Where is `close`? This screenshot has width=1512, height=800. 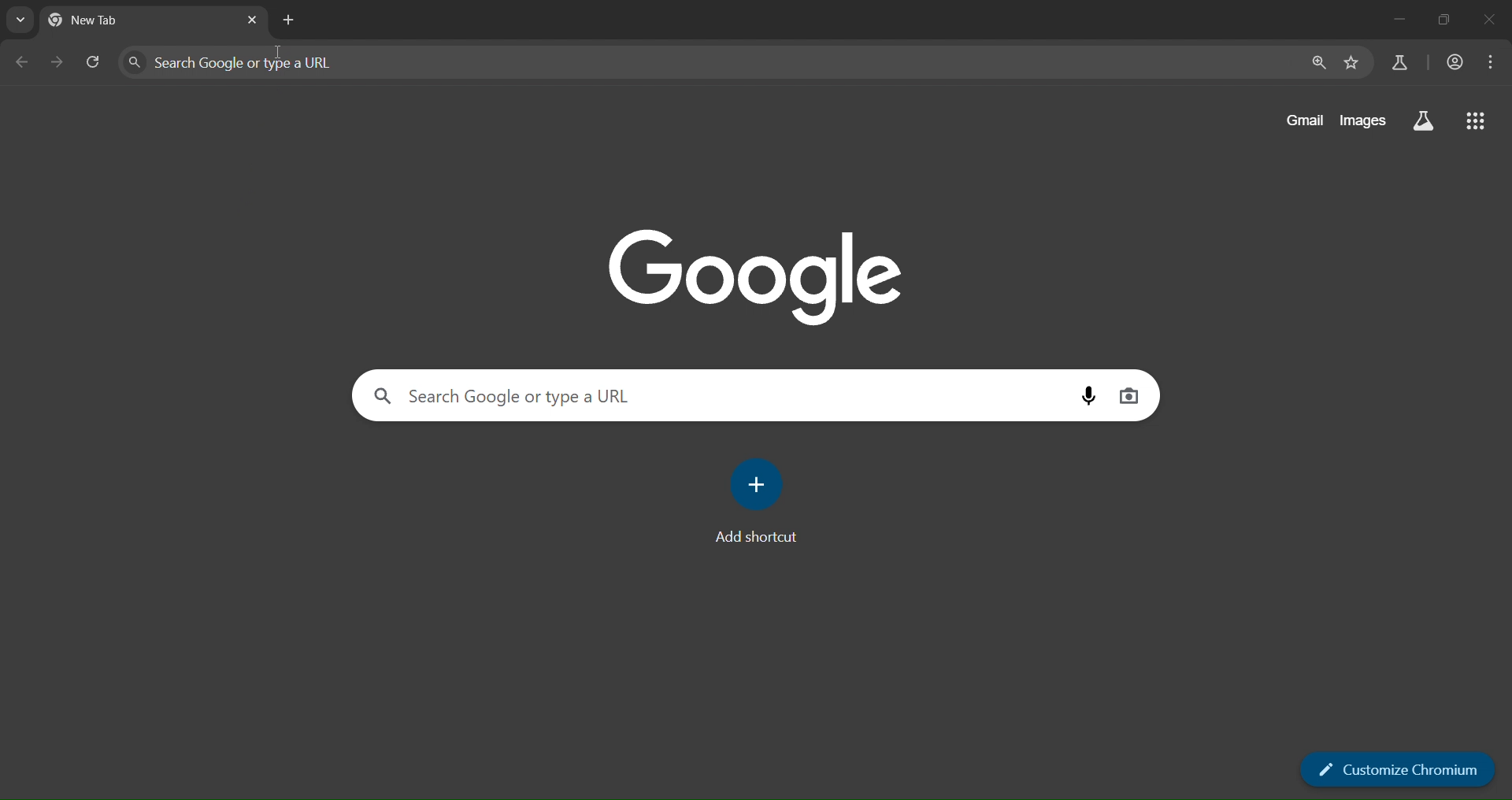
close is located at coordinates (1490, 20).